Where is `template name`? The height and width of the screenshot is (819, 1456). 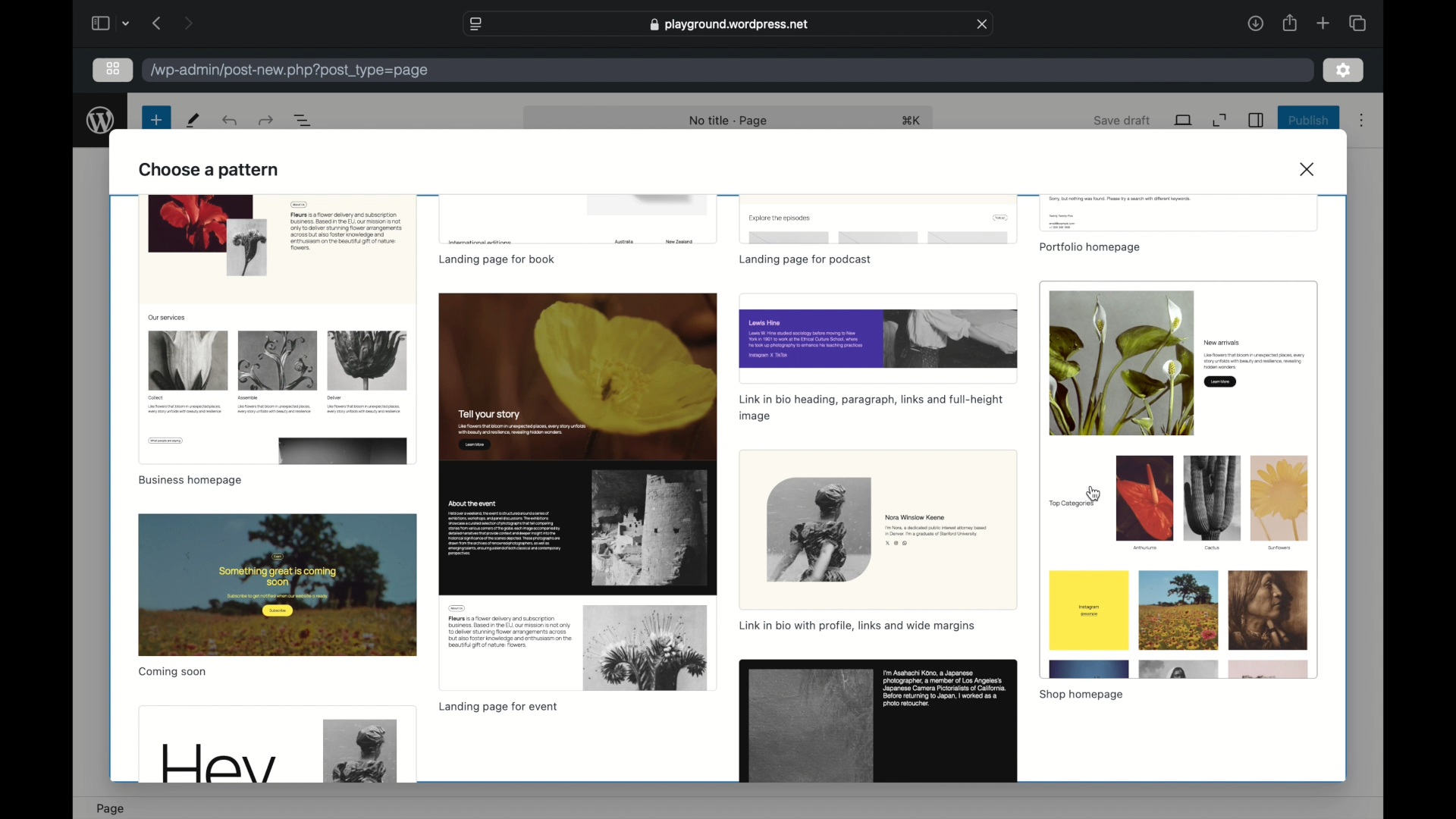
template name is located at coordinates (1092, 248).